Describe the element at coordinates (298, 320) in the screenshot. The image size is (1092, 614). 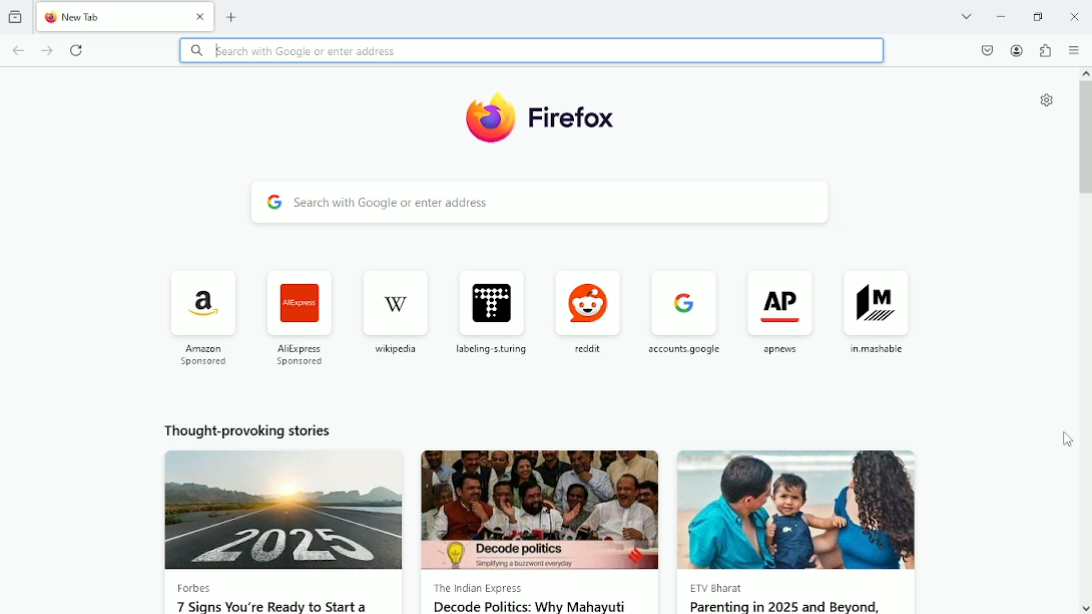
I see `AliExpress sponsored` at that location.